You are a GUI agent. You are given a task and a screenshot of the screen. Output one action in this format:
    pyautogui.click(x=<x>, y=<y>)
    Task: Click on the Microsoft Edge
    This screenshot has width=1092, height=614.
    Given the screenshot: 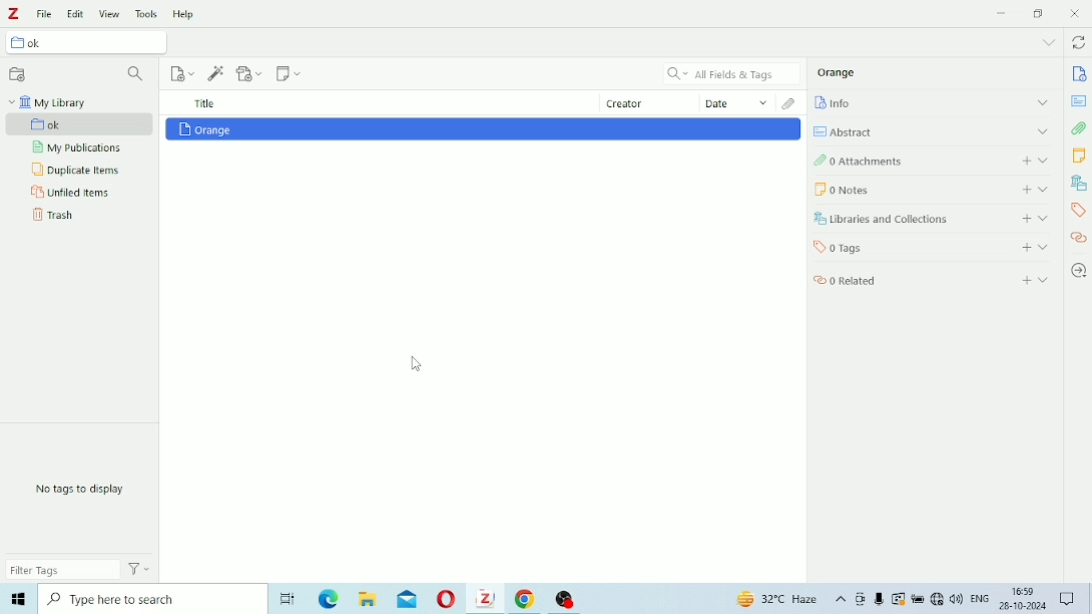 What is the action you would take?
    pyautogui.click(x=330, y=600)
    